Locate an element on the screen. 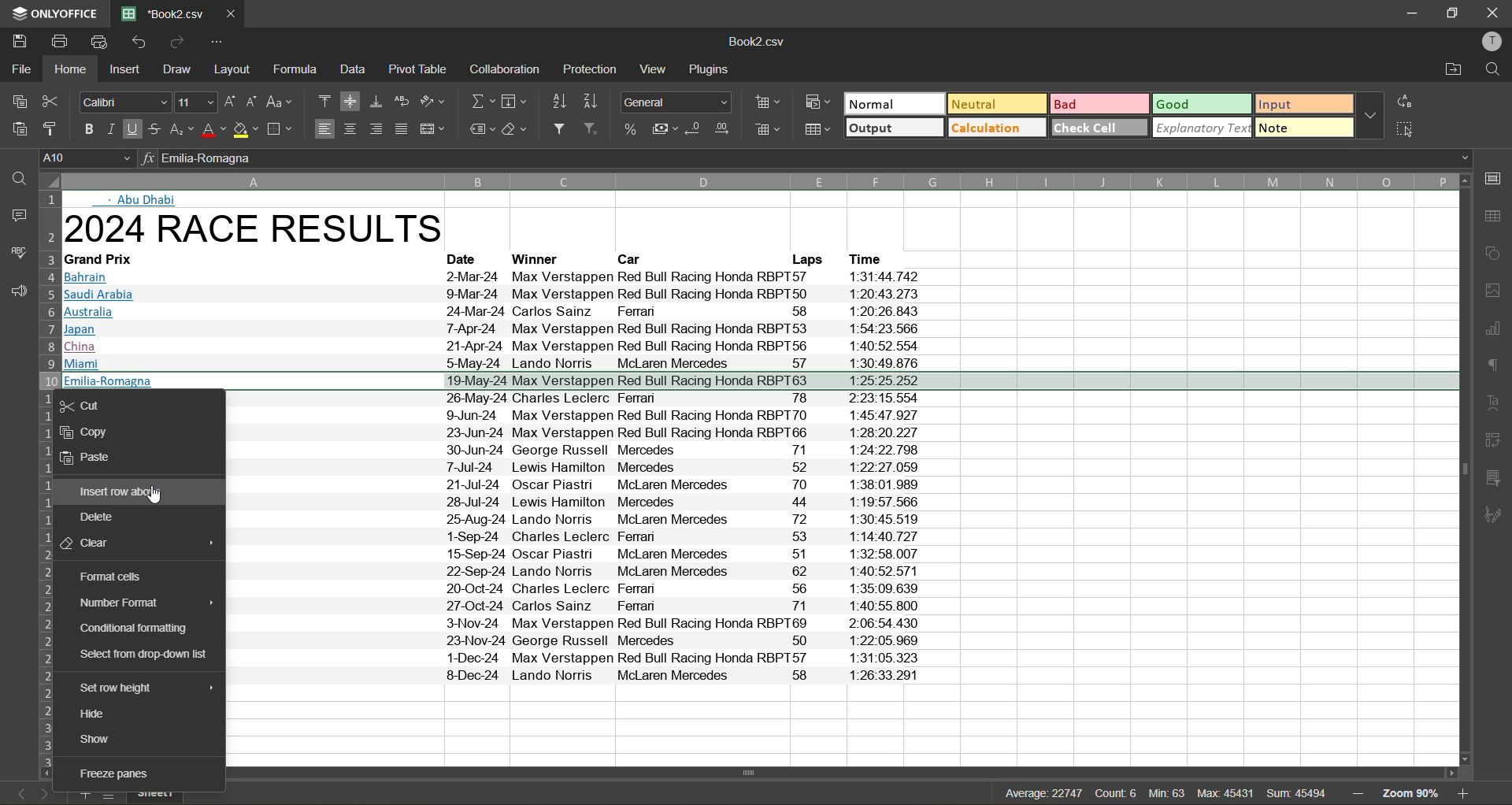  view is located at coordinates (655, 69).